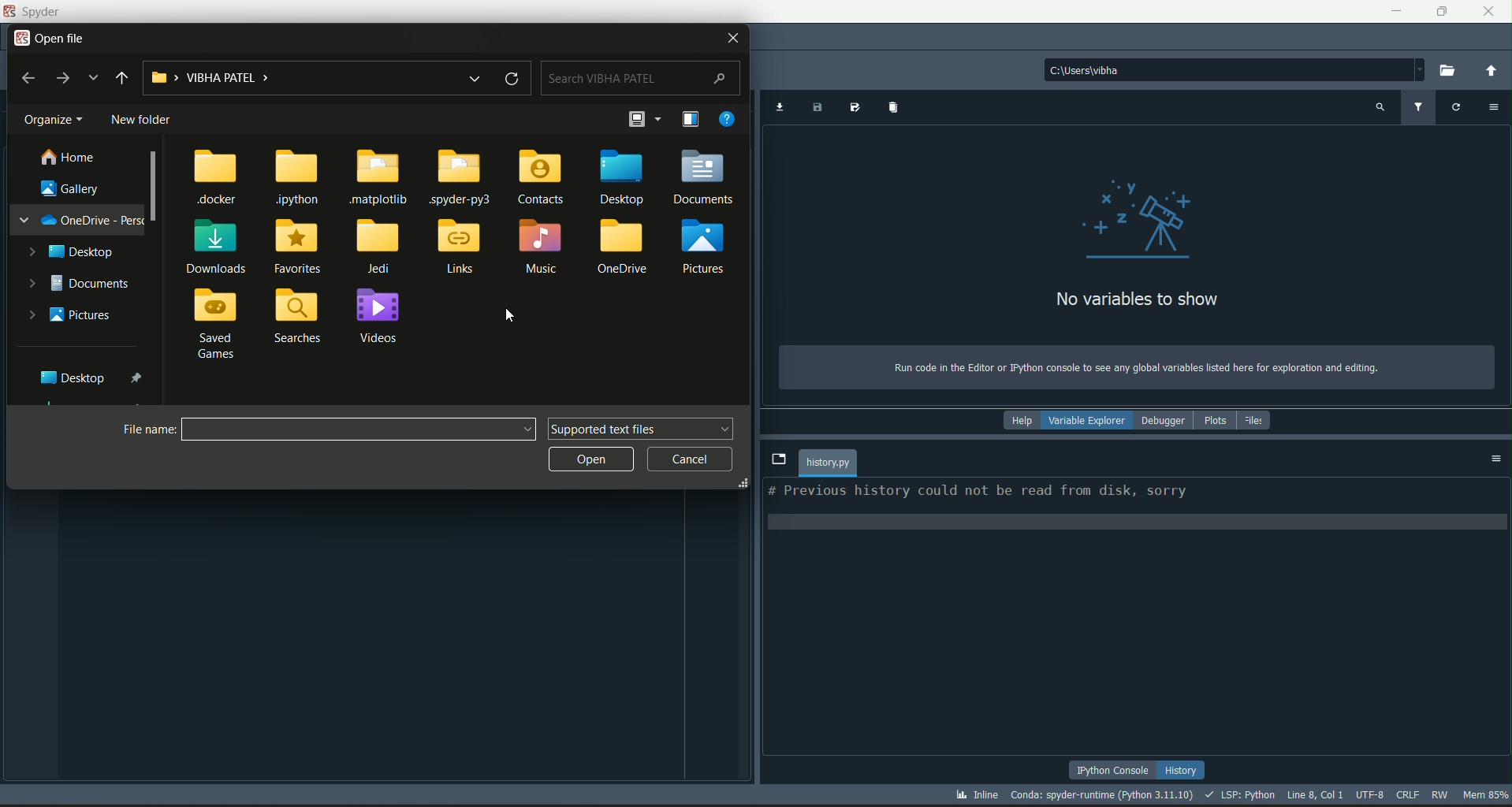 The height and width of the screenshot is (807, 1512). What do you see at coordinates (143, 119) in the screenshot?
I see `new folder` at bounding box center [143, 119].